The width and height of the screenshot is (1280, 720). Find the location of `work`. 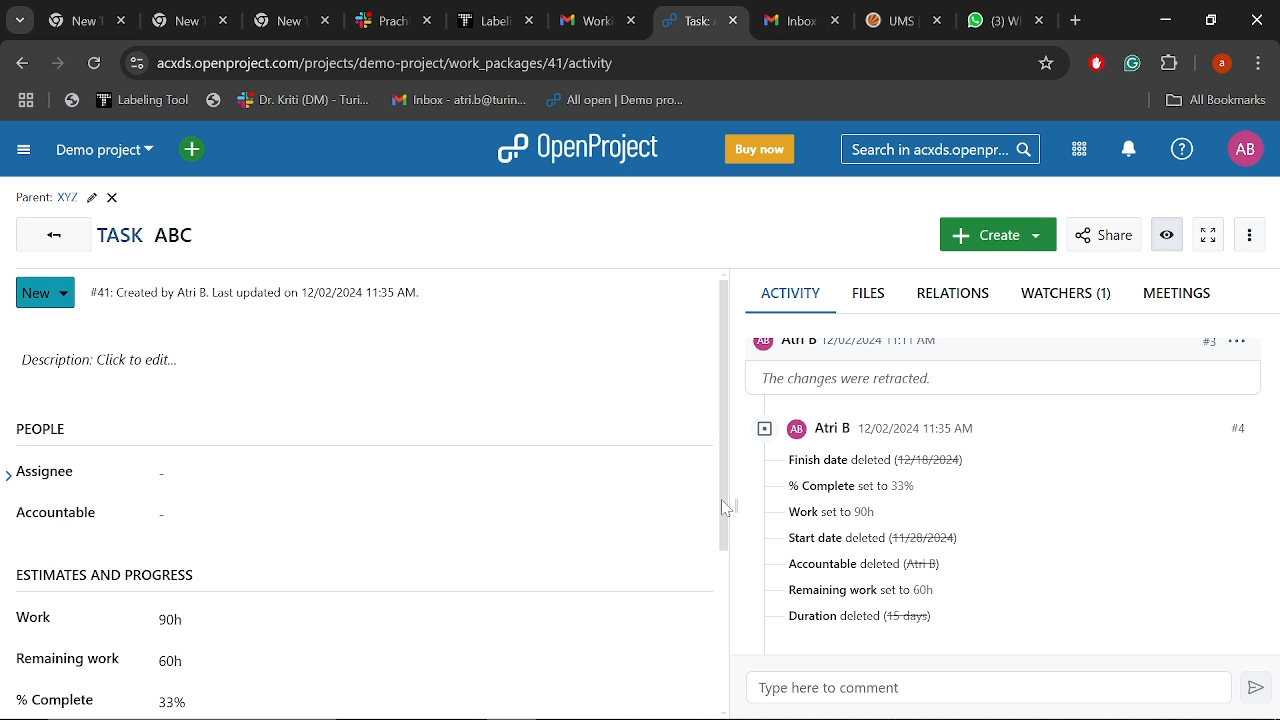

work is located at coordinates (38, 615).